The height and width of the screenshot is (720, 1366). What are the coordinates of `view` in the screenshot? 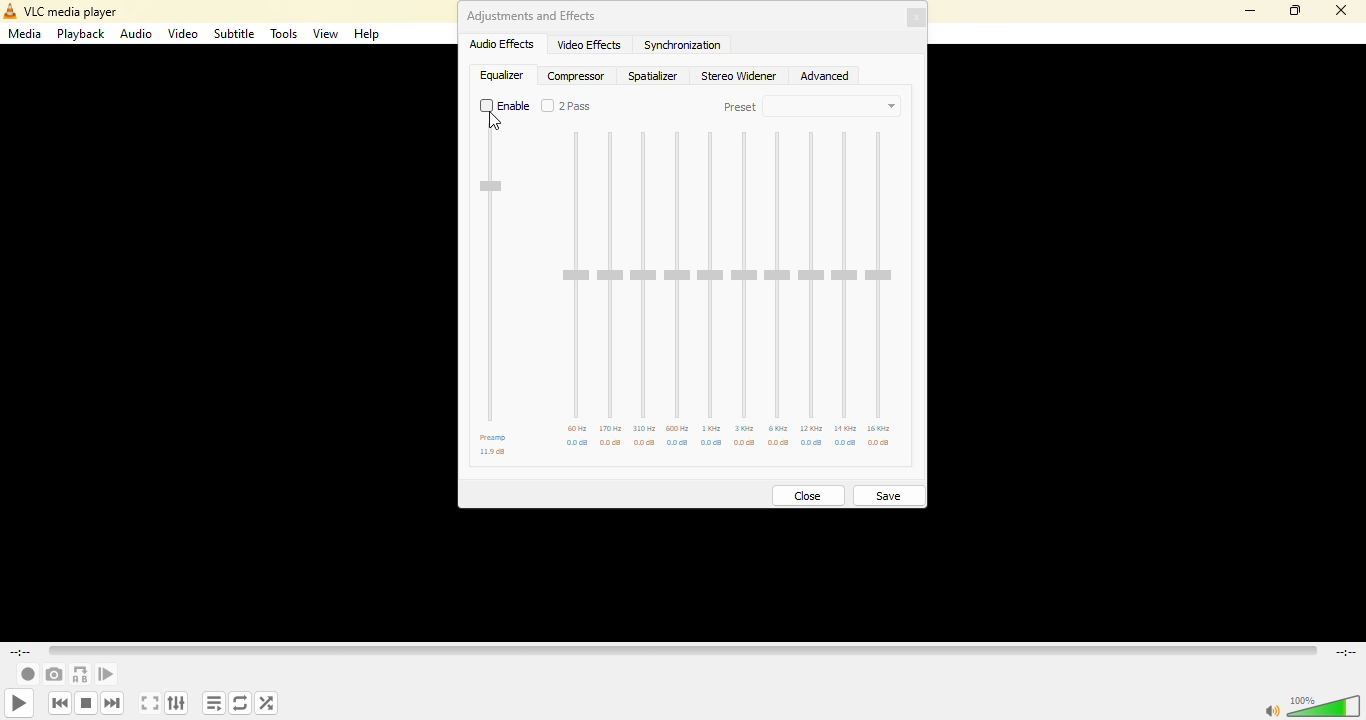 It's located at (326, 34).